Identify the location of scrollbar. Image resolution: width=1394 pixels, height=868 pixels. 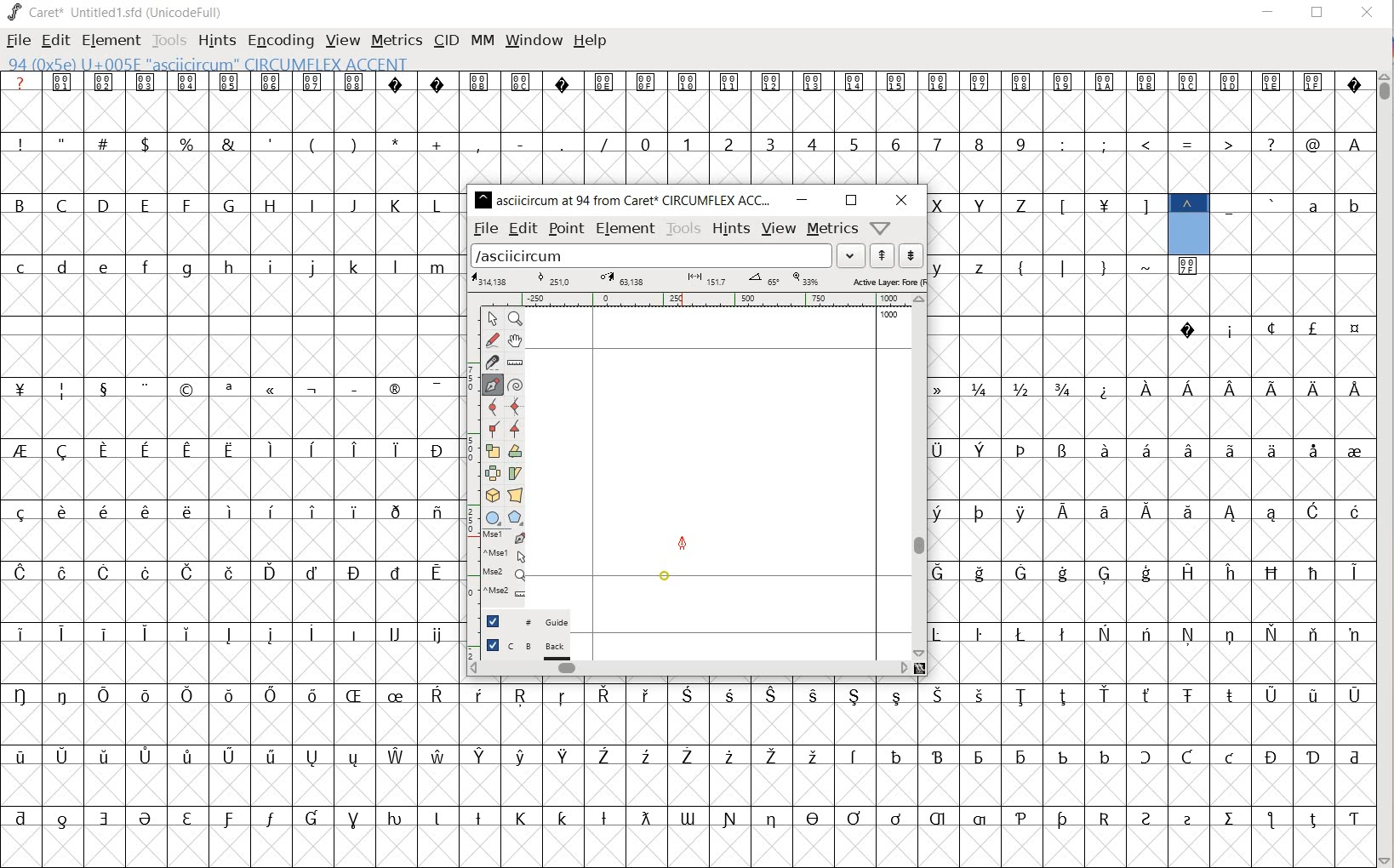
(920, 477).